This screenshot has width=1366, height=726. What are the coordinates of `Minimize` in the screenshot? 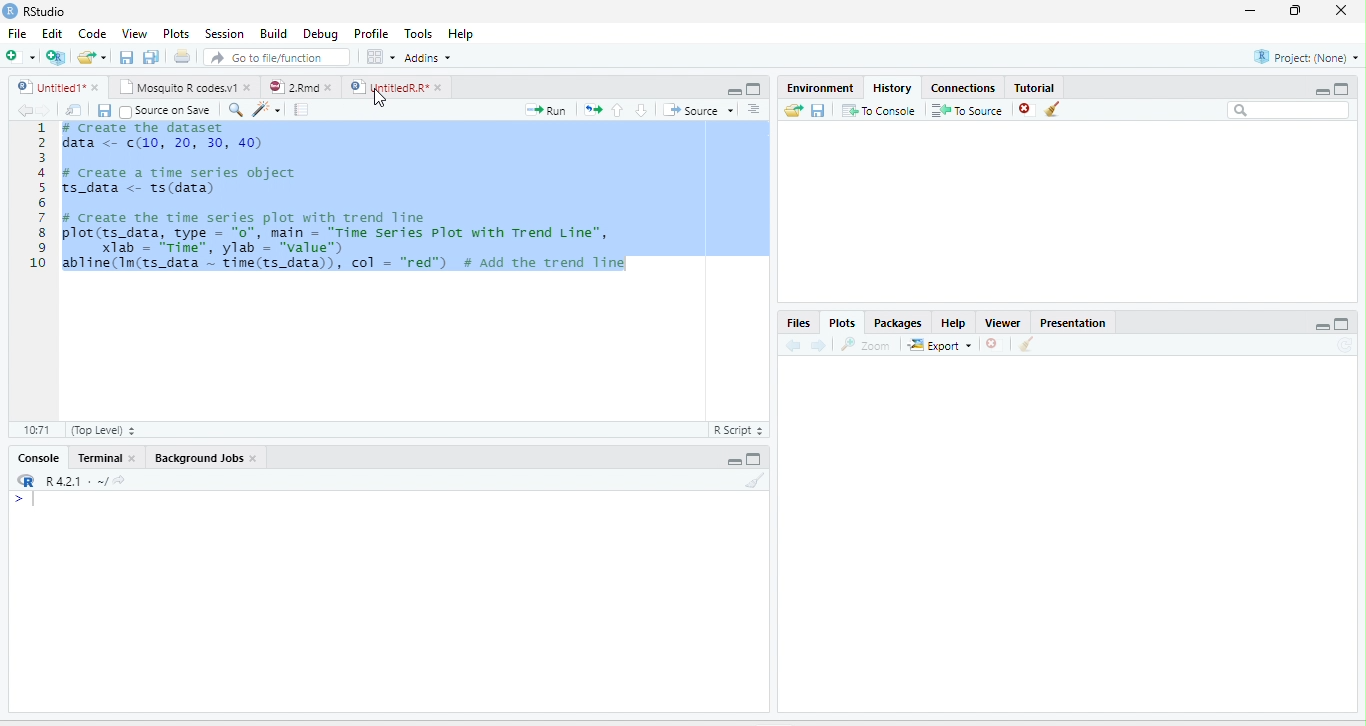 It's located at (732, 462).